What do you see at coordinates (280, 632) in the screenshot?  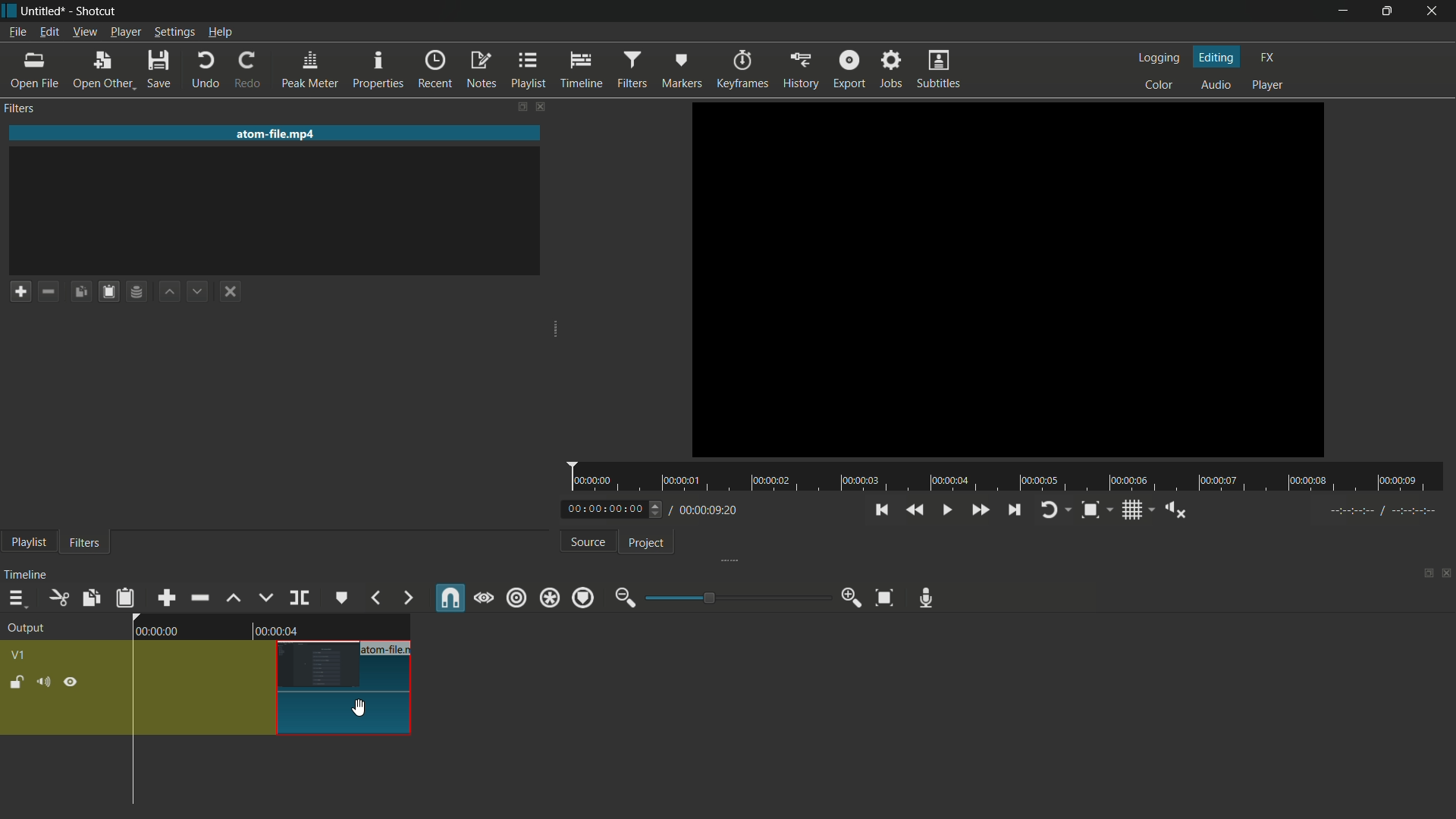 I see `time` at bounding box center [280, 632].